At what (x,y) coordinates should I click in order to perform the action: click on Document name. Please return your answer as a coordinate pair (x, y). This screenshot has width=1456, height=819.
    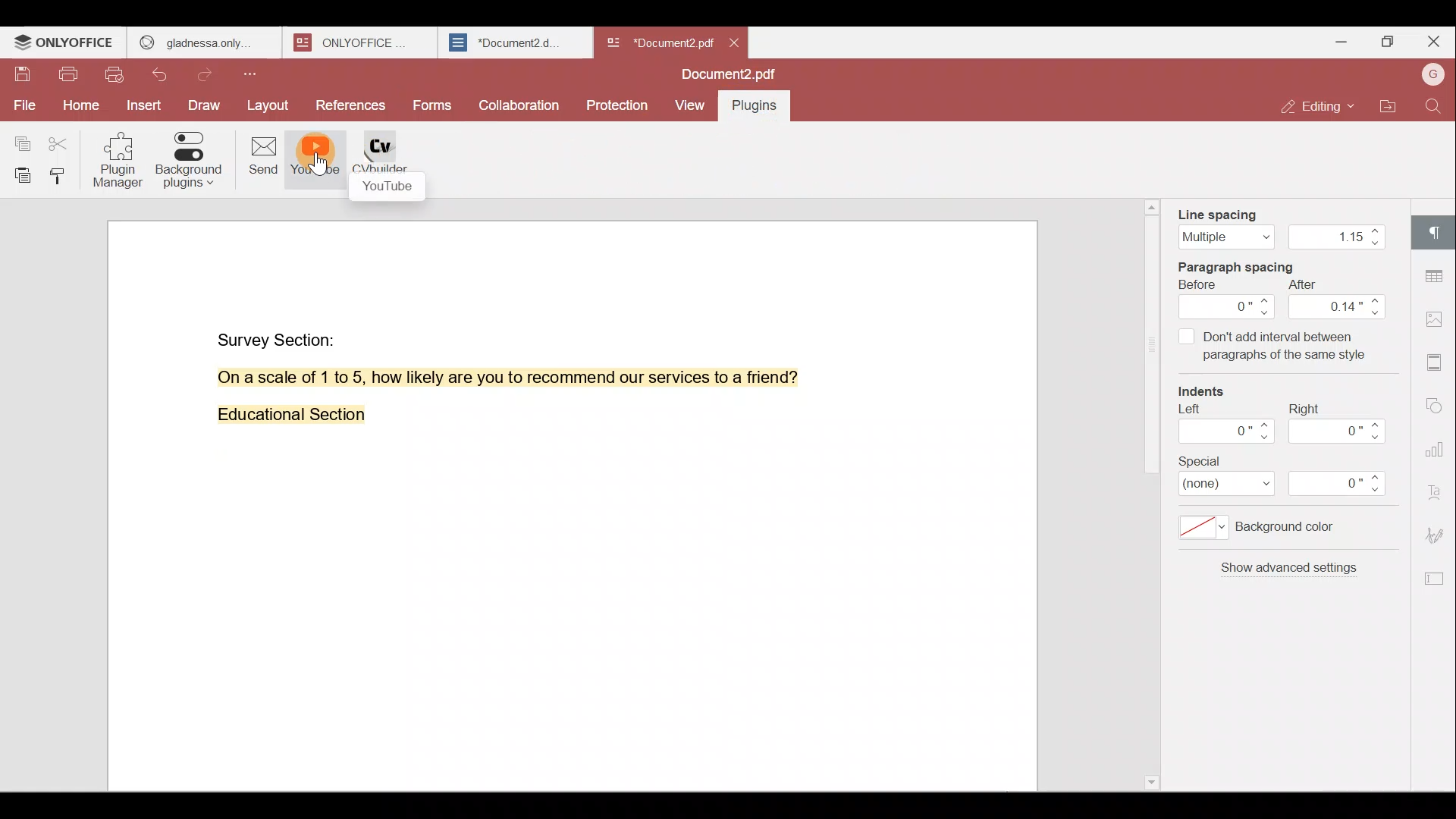
    Looking at the image, I should click on (733, 76).